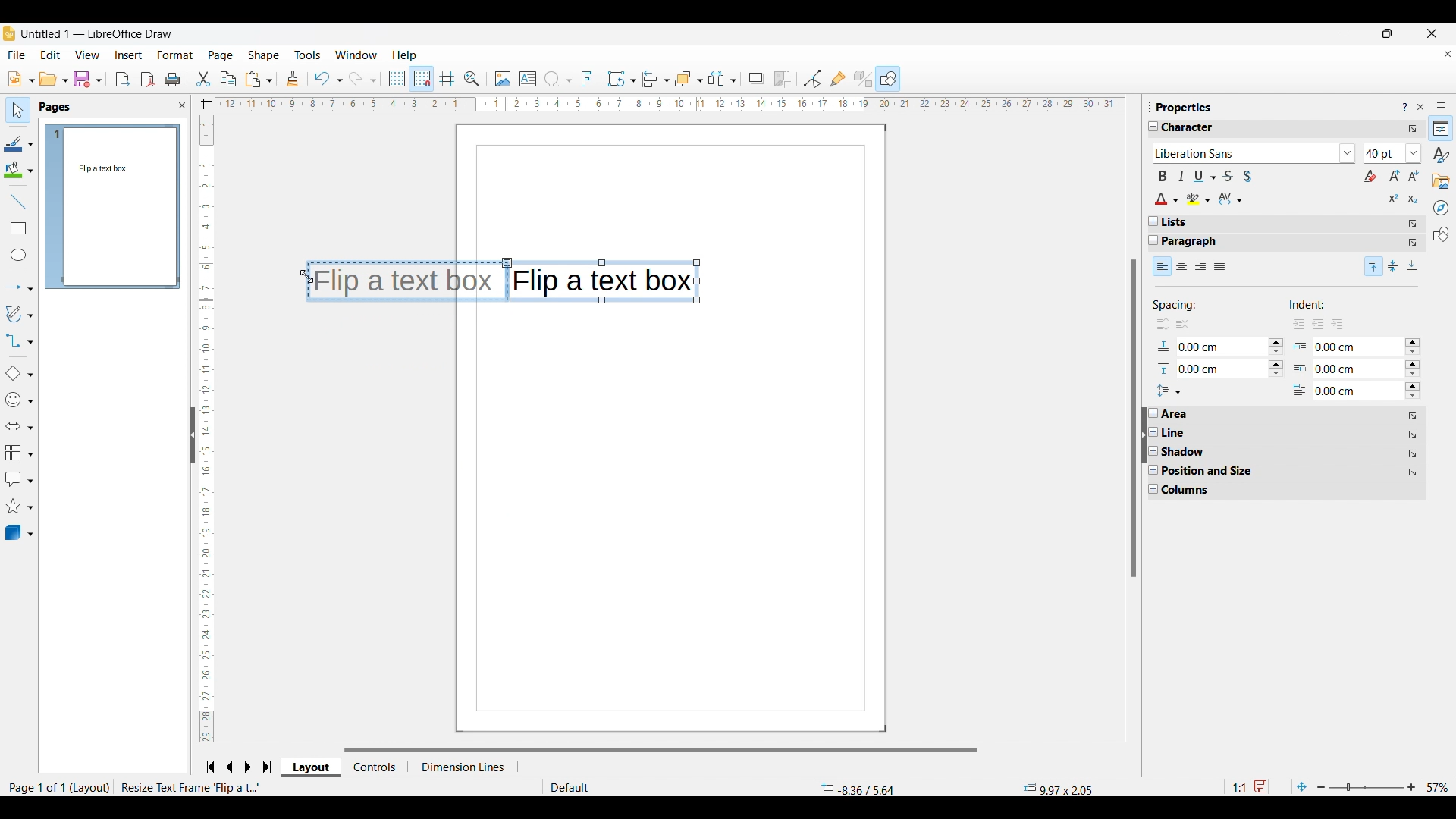  Describe the element at coordinates (1163, 265) in the screenshot. I see `Left alignment` at that location.